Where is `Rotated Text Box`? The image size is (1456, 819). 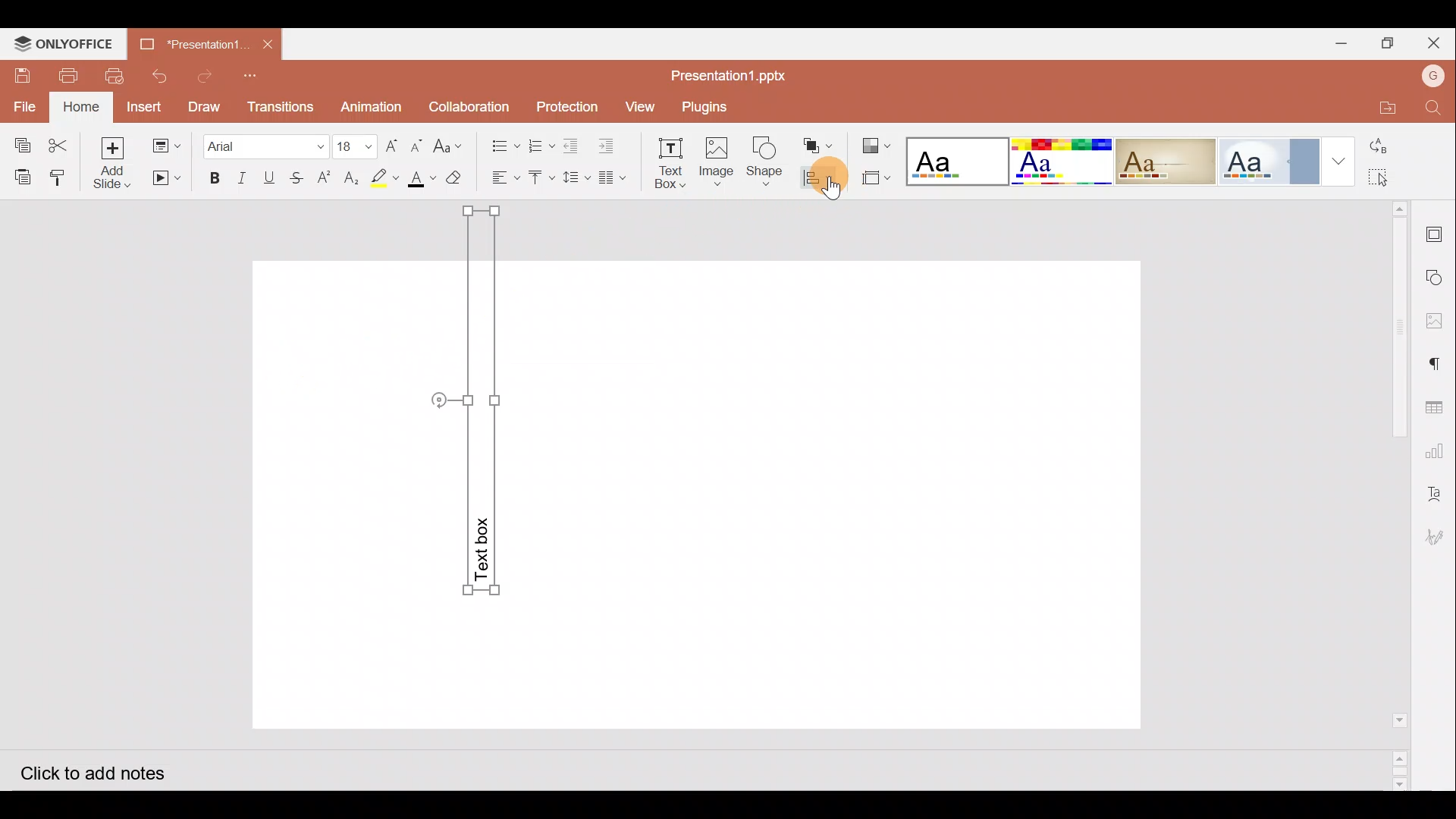
Rotated Text Box is located at coordinates (476, 406).